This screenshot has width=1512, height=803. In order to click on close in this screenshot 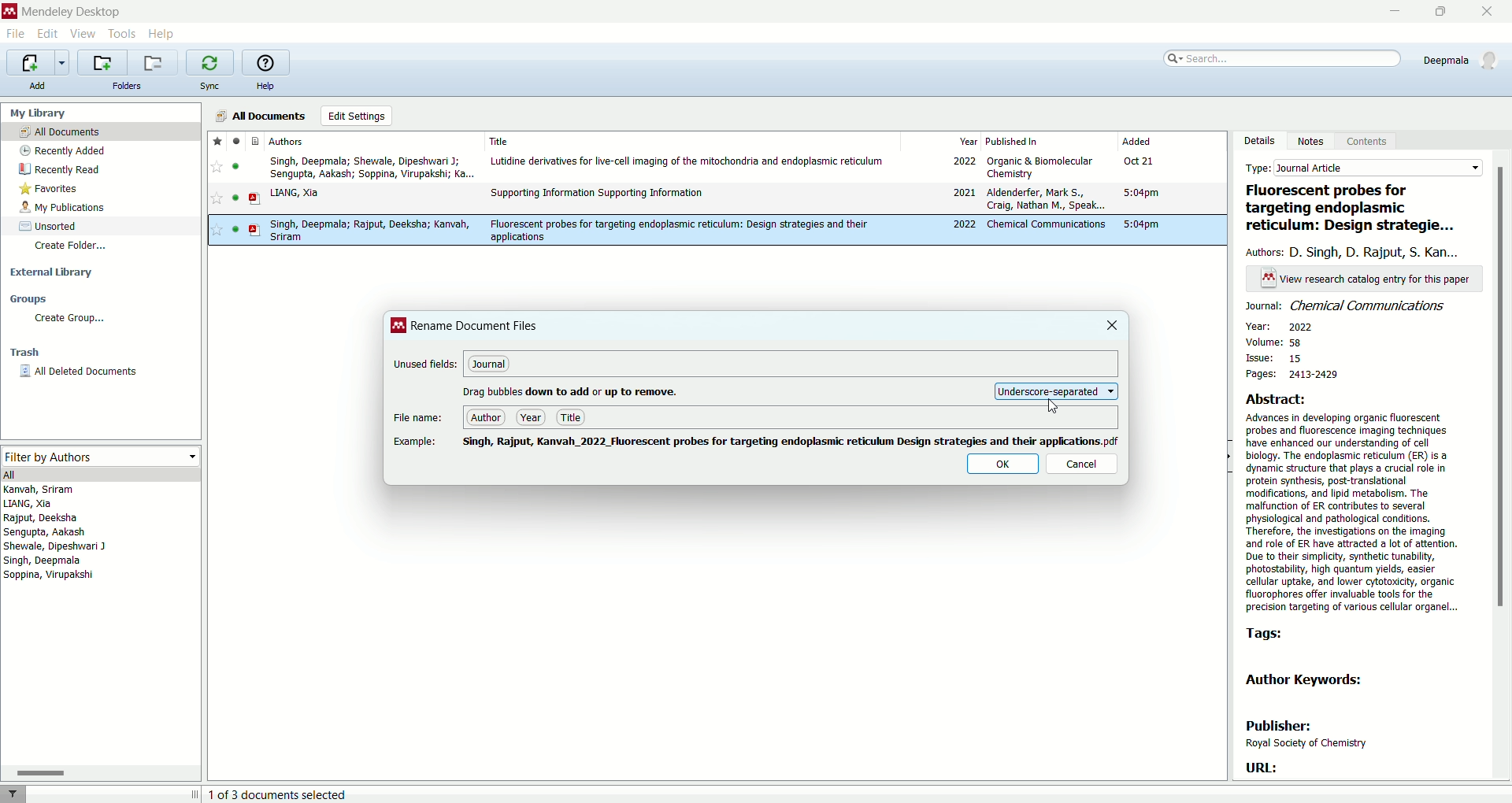, I will do `click(1113, 325)`.